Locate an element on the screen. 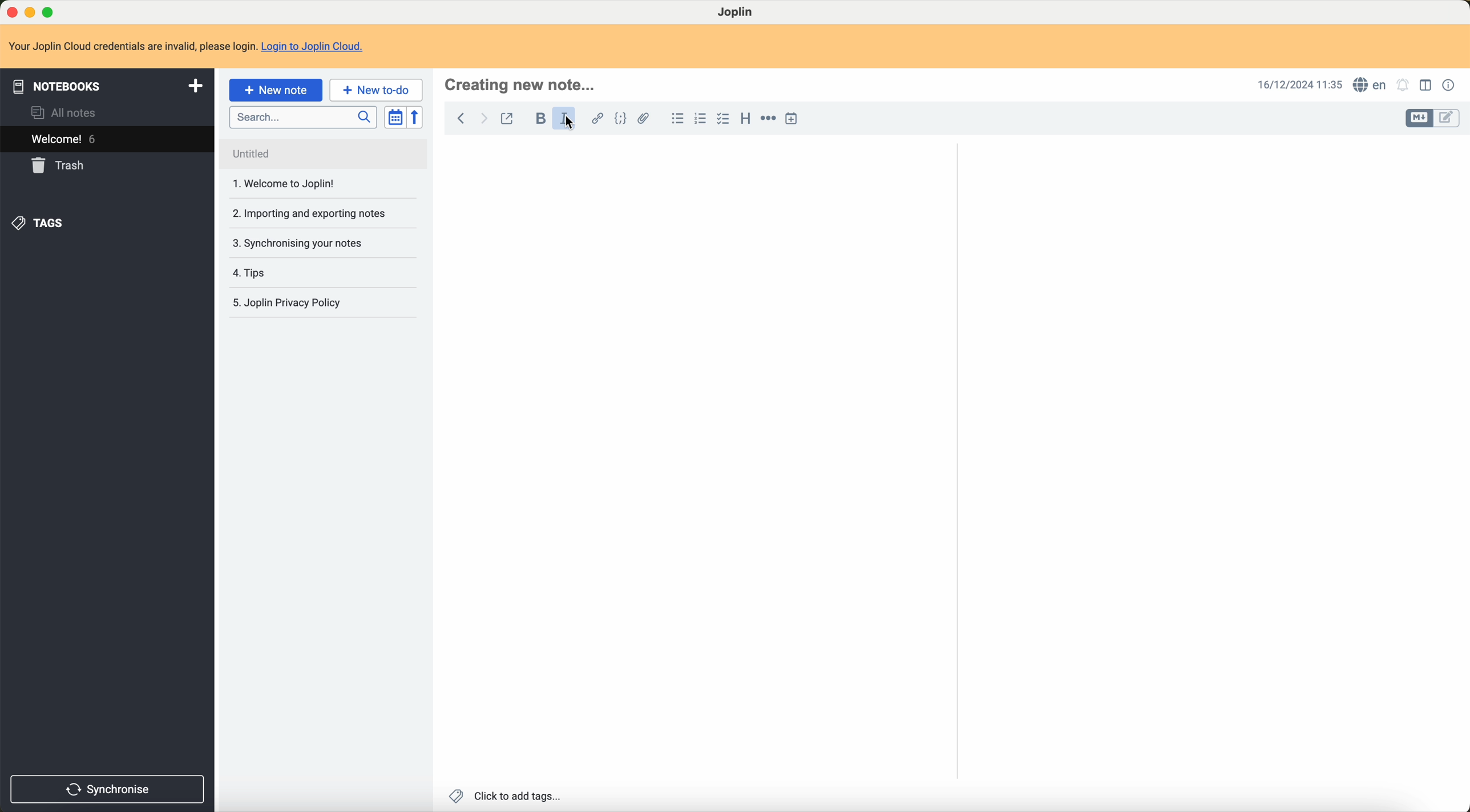 The width and height of the screenshot is (1470, 812). 1.welcome to Joplin is located at coordinates (288, 185).